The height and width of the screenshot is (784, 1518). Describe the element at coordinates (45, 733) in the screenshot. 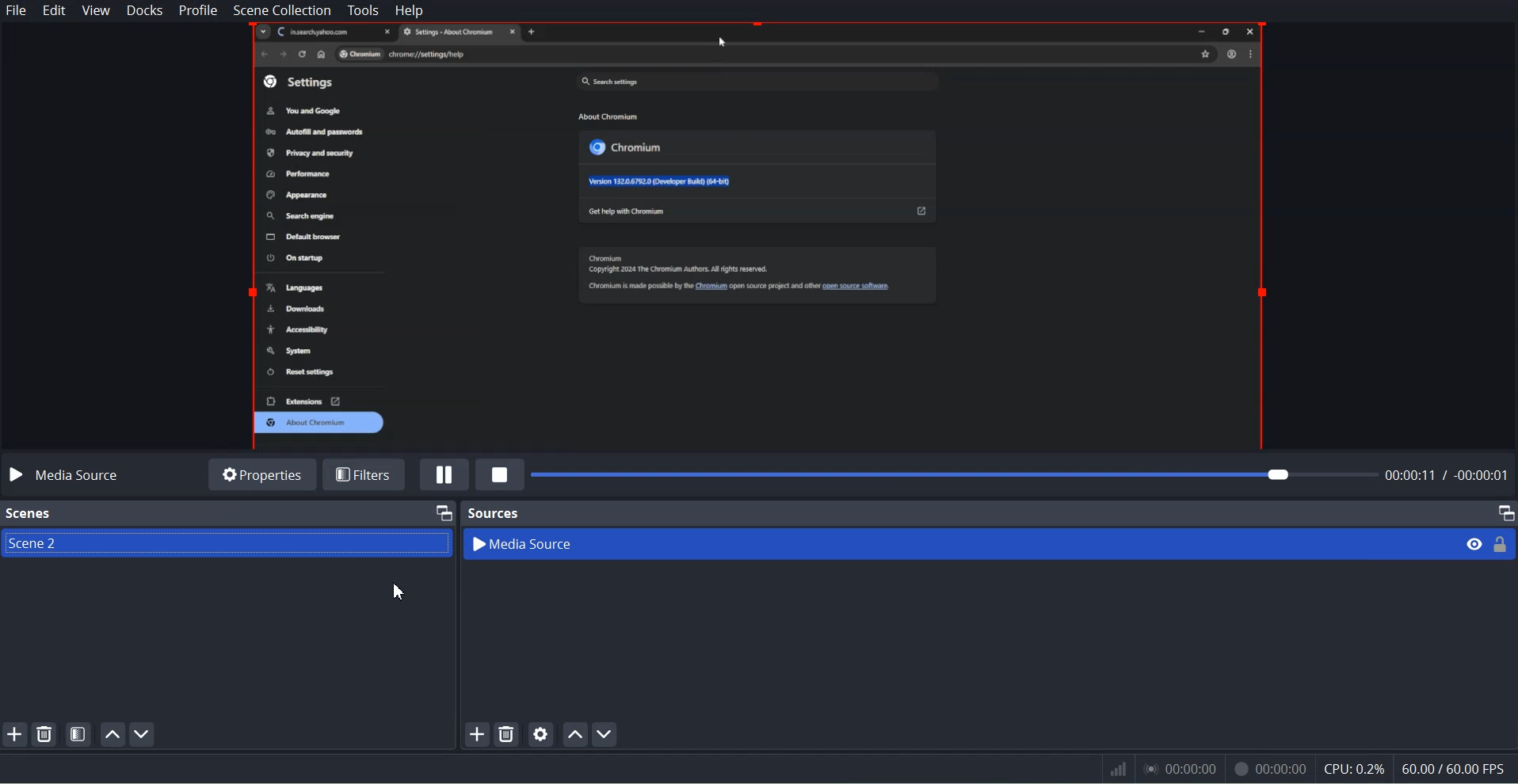

I see `Remove selected Scene` at that location.